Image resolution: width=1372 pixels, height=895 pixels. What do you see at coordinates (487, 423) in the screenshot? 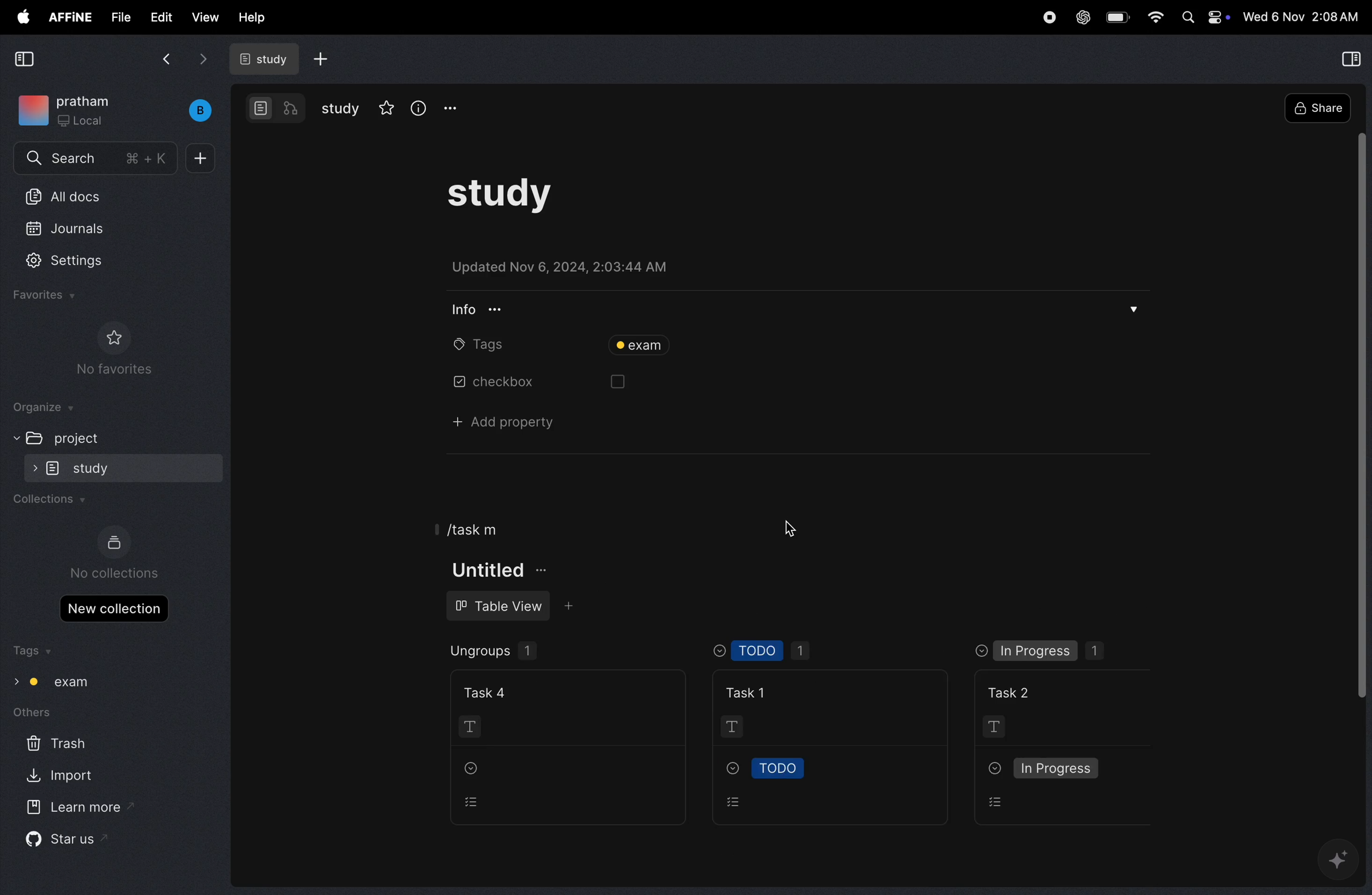
I see `add property` at bounding box center [487, 423].